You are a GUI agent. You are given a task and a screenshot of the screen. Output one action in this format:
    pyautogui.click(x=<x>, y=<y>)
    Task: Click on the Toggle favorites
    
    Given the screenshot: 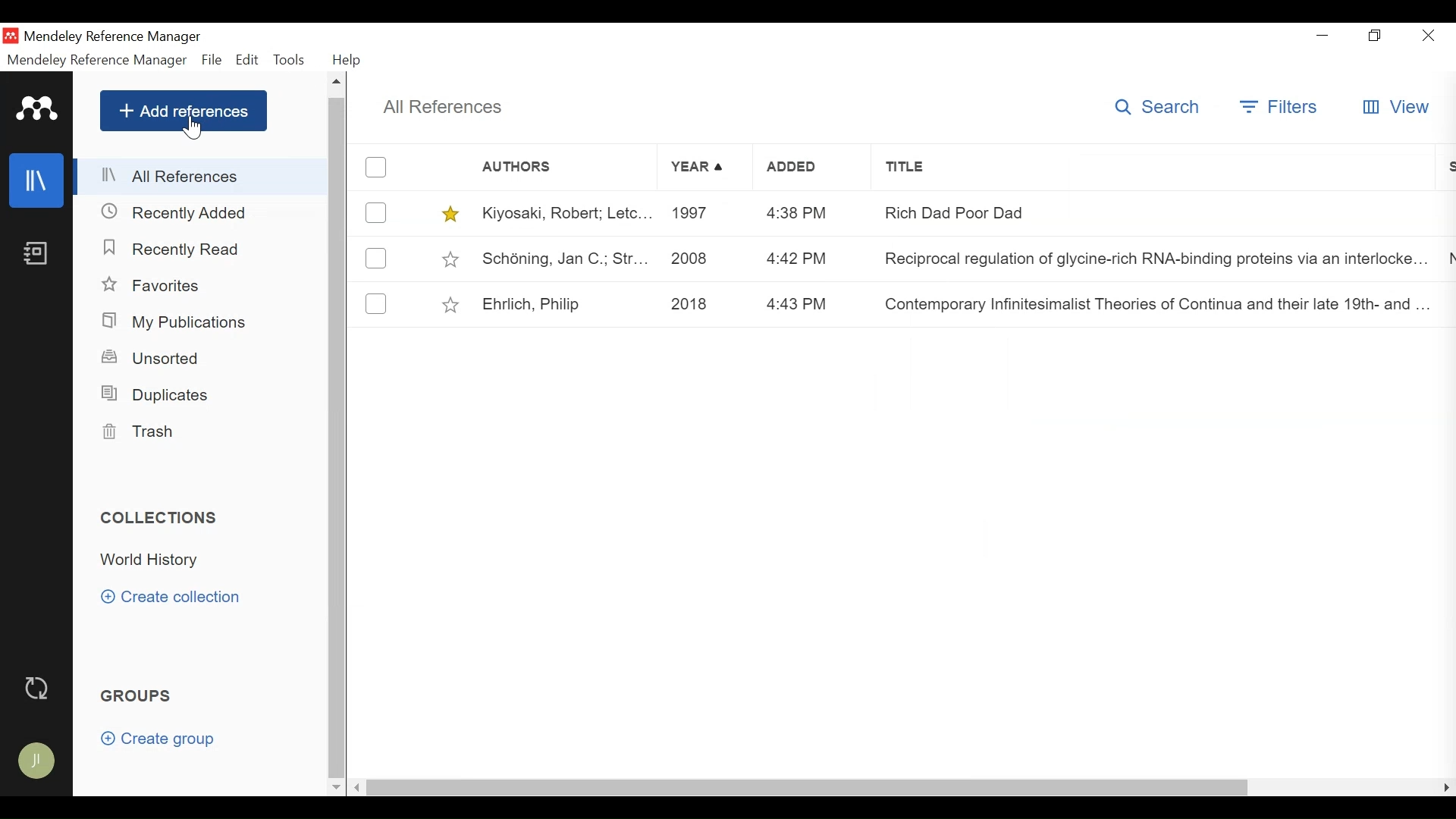 What is the action you would take?
    pyautogui.click(x=453, y=215)
    